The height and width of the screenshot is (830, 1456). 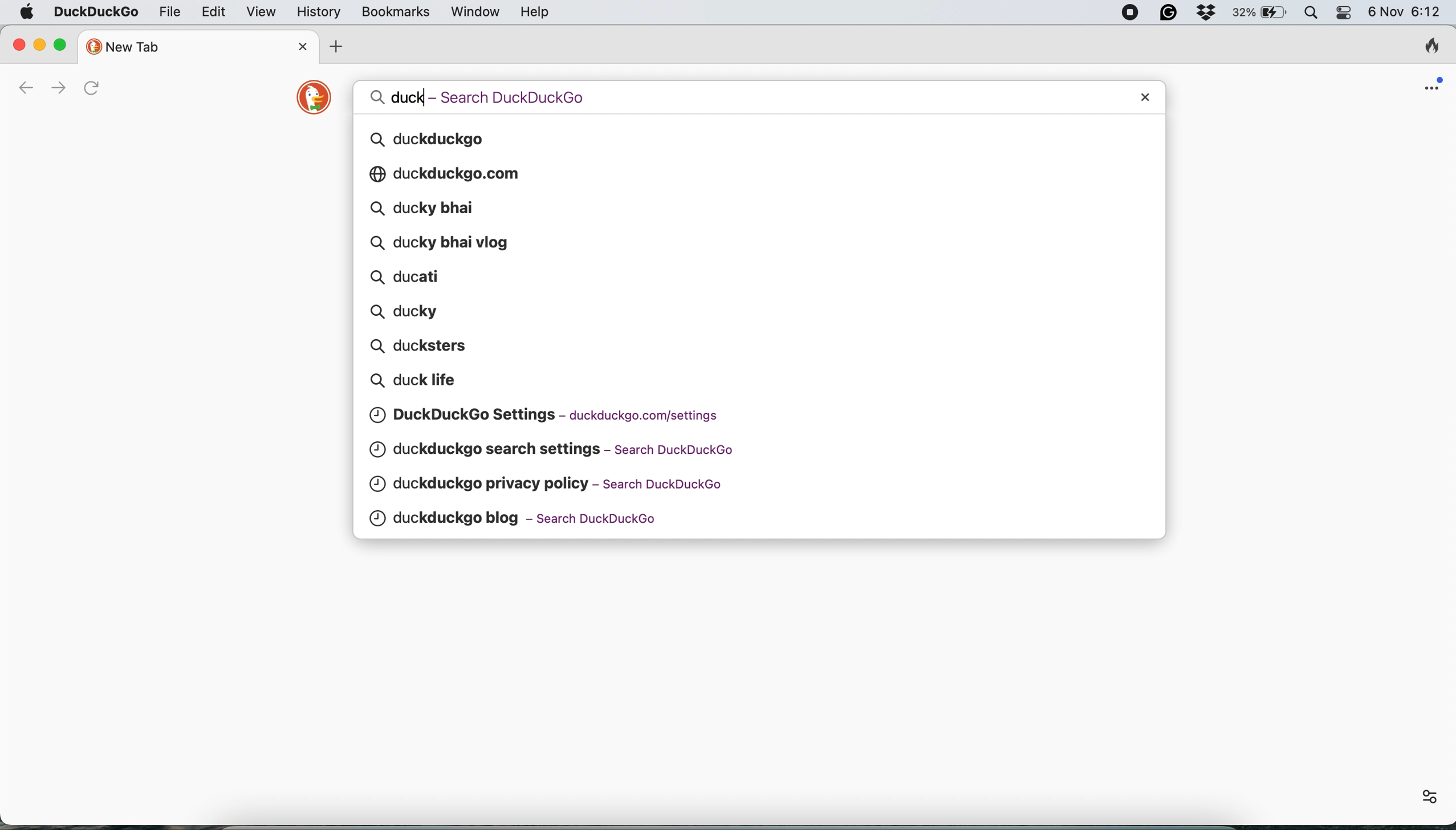 I want to click on duckduckgo logo, so click(x=310, y=99).